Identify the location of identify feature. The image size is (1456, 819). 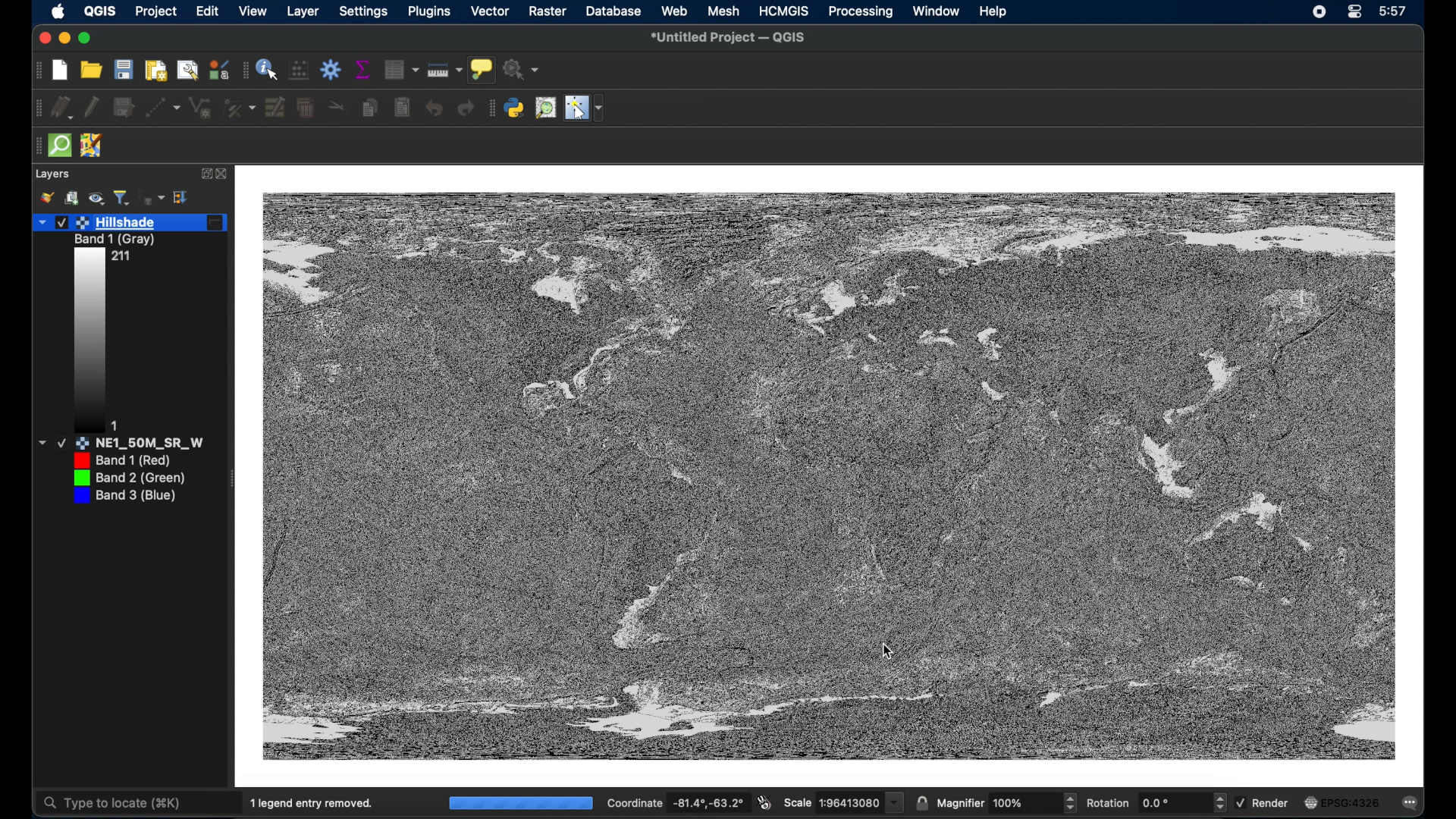
(268, 69).